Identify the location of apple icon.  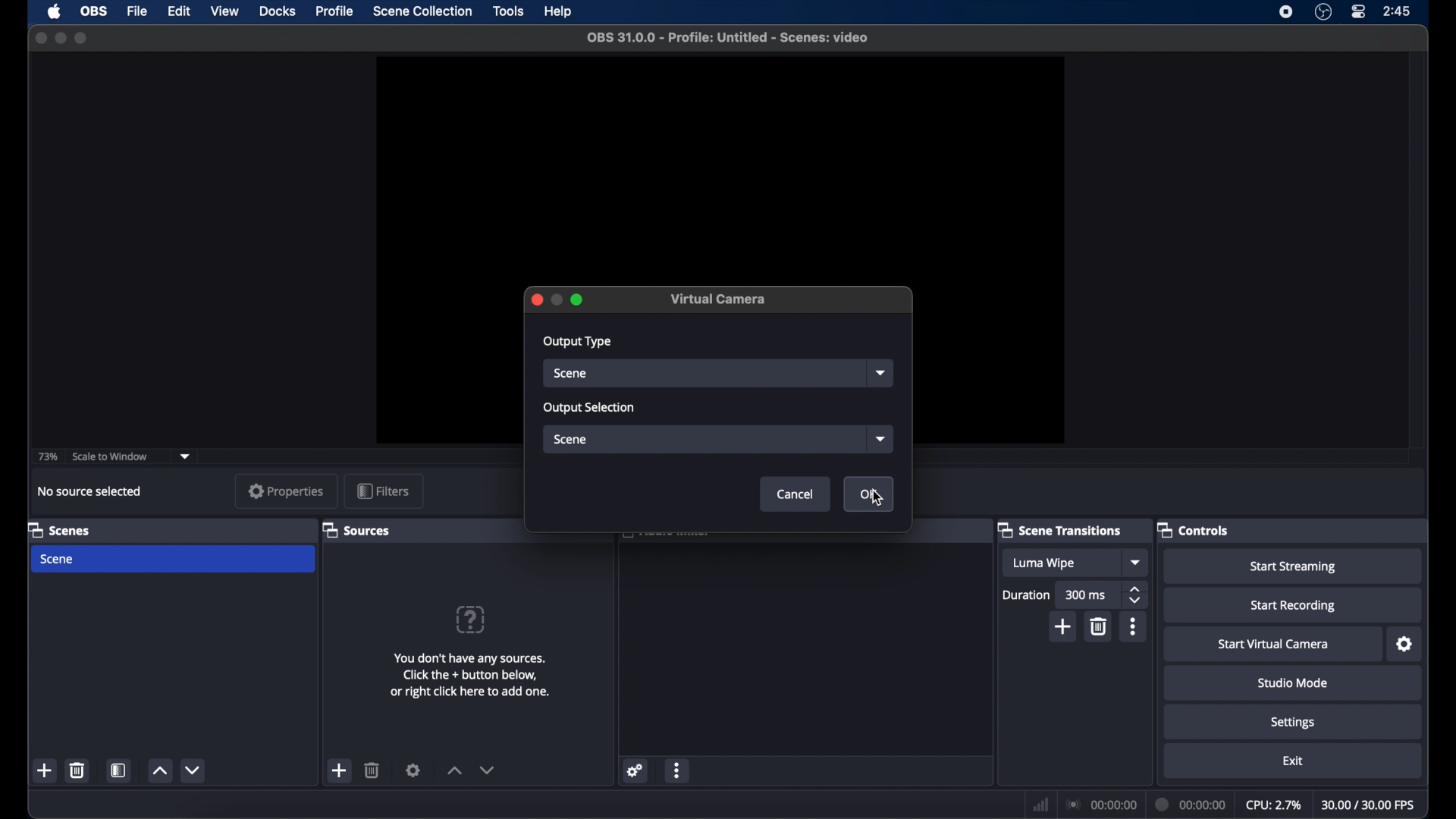
(55, 11).